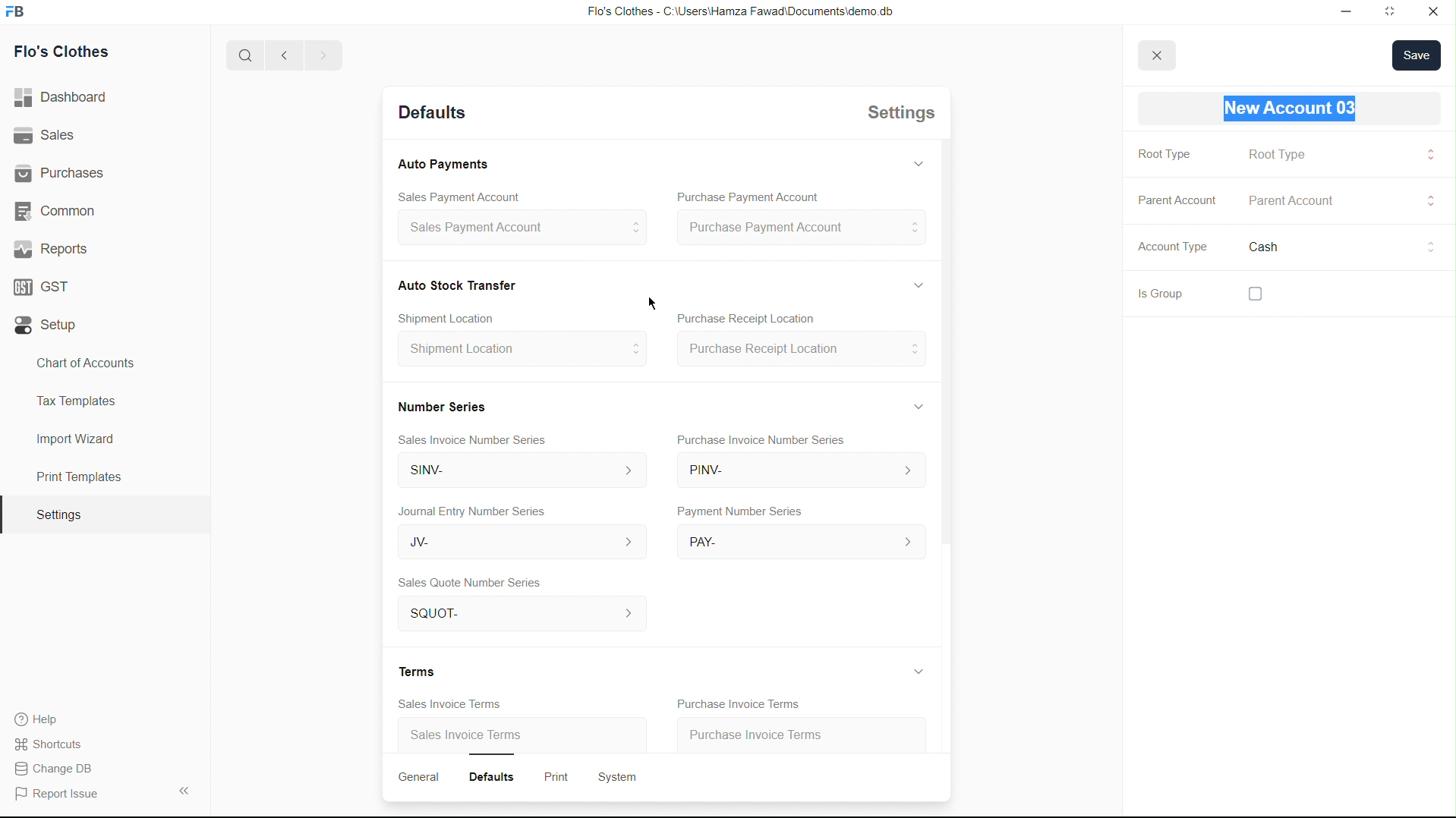 The height and width of the screenshot is (818, 1456). I want to click on SQuOT- >, so click(517, 615).